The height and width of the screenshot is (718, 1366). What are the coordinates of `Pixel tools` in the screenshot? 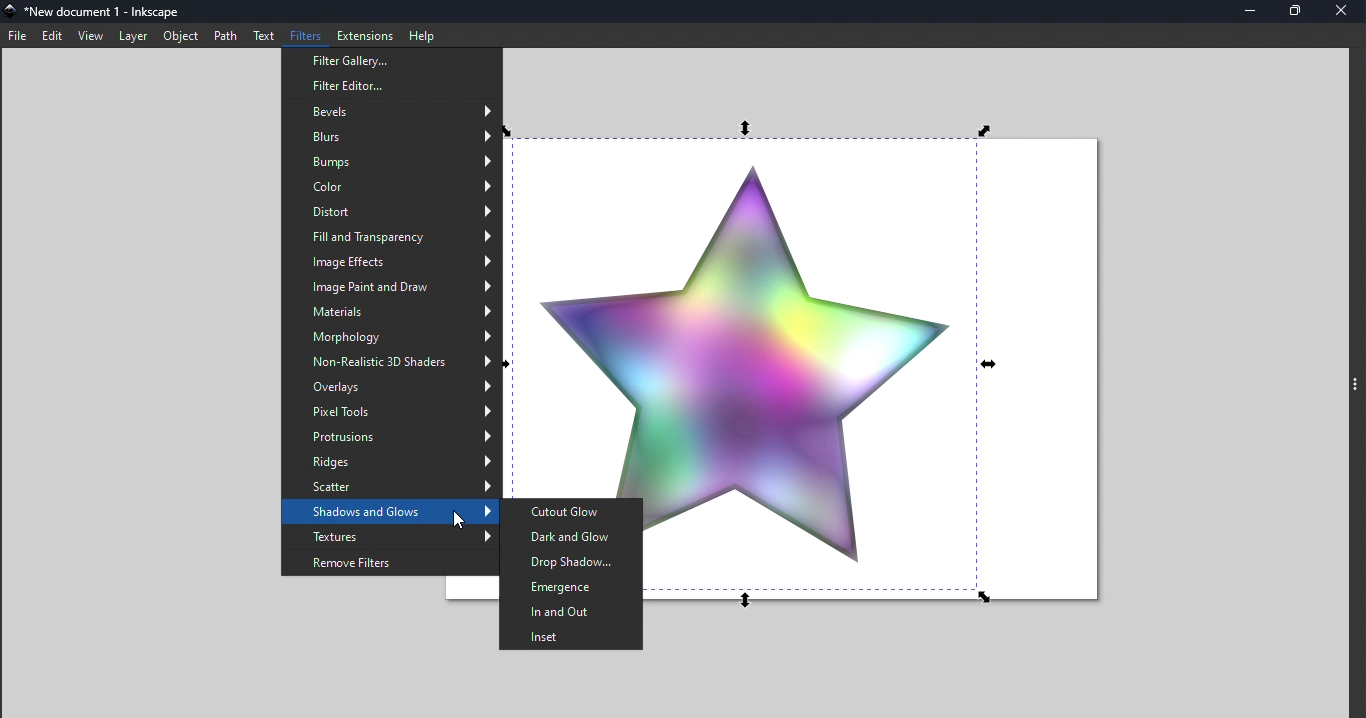 It's located at (391, 413).